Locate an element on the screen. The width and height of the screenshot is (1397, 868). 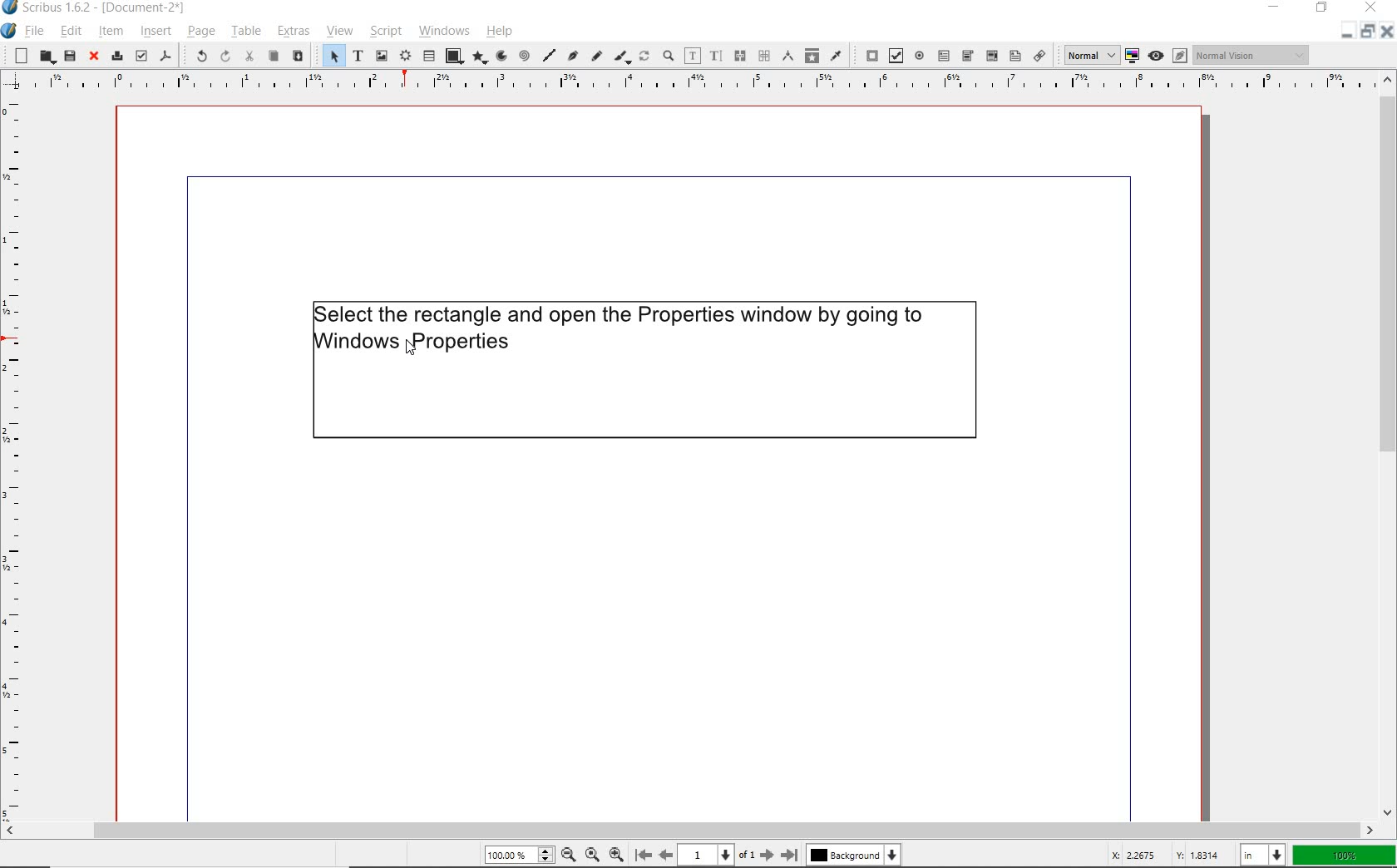
toggle color is located at coordinates (1131, 56).